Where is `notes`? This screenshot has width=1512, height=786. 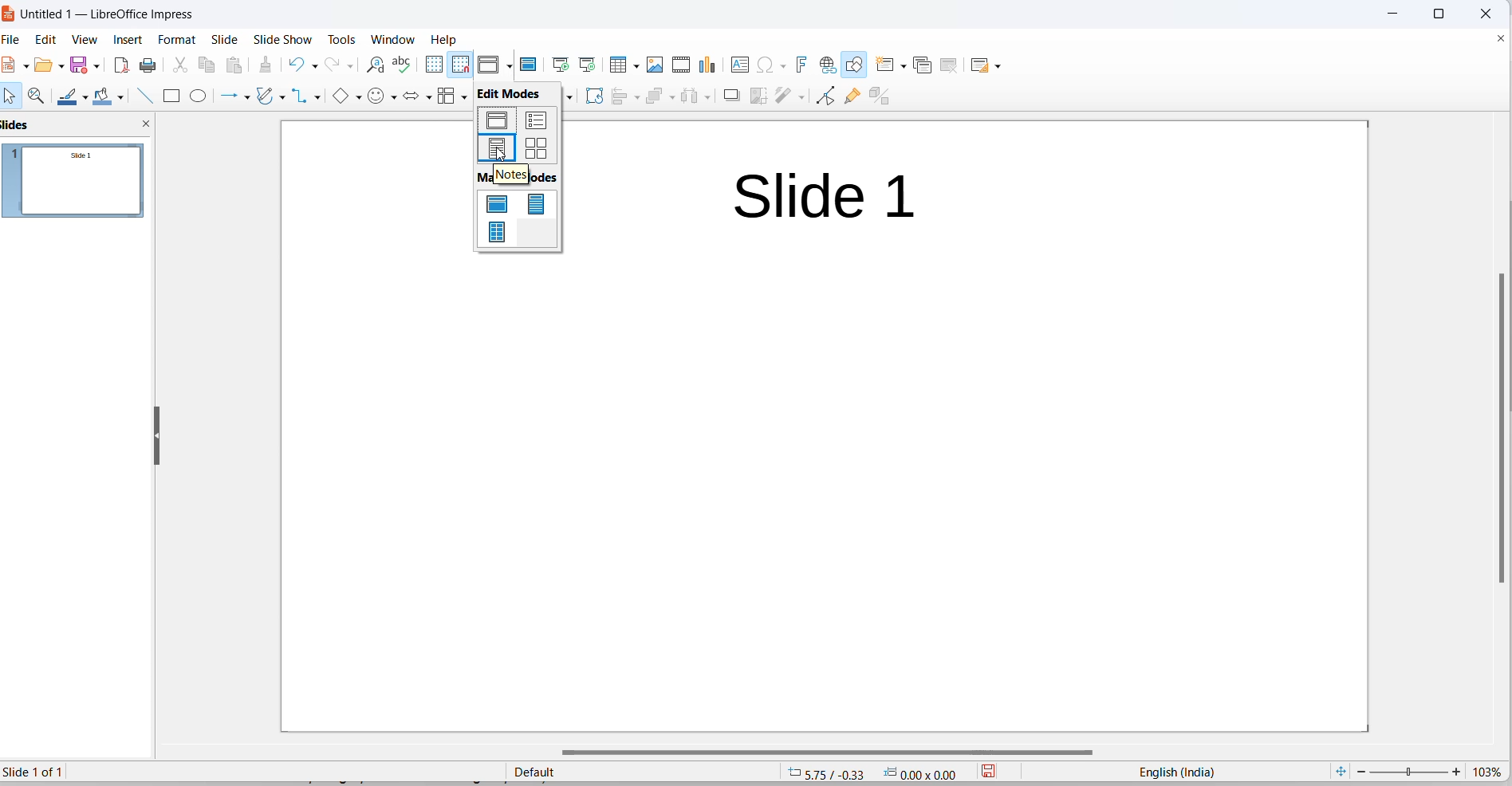 notes is located at coordinates (494, 148).